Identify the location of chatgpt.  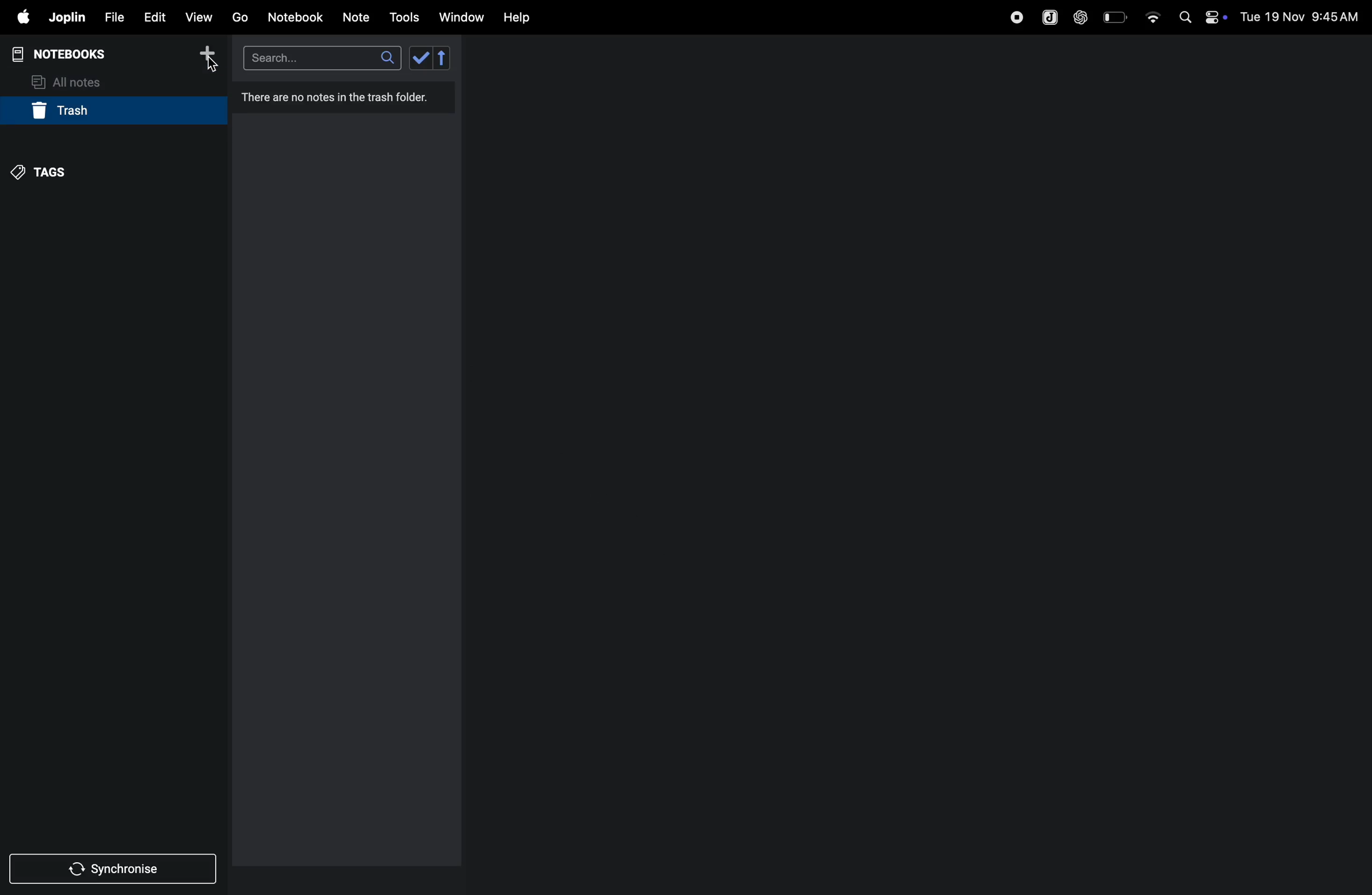
(1081, 16).